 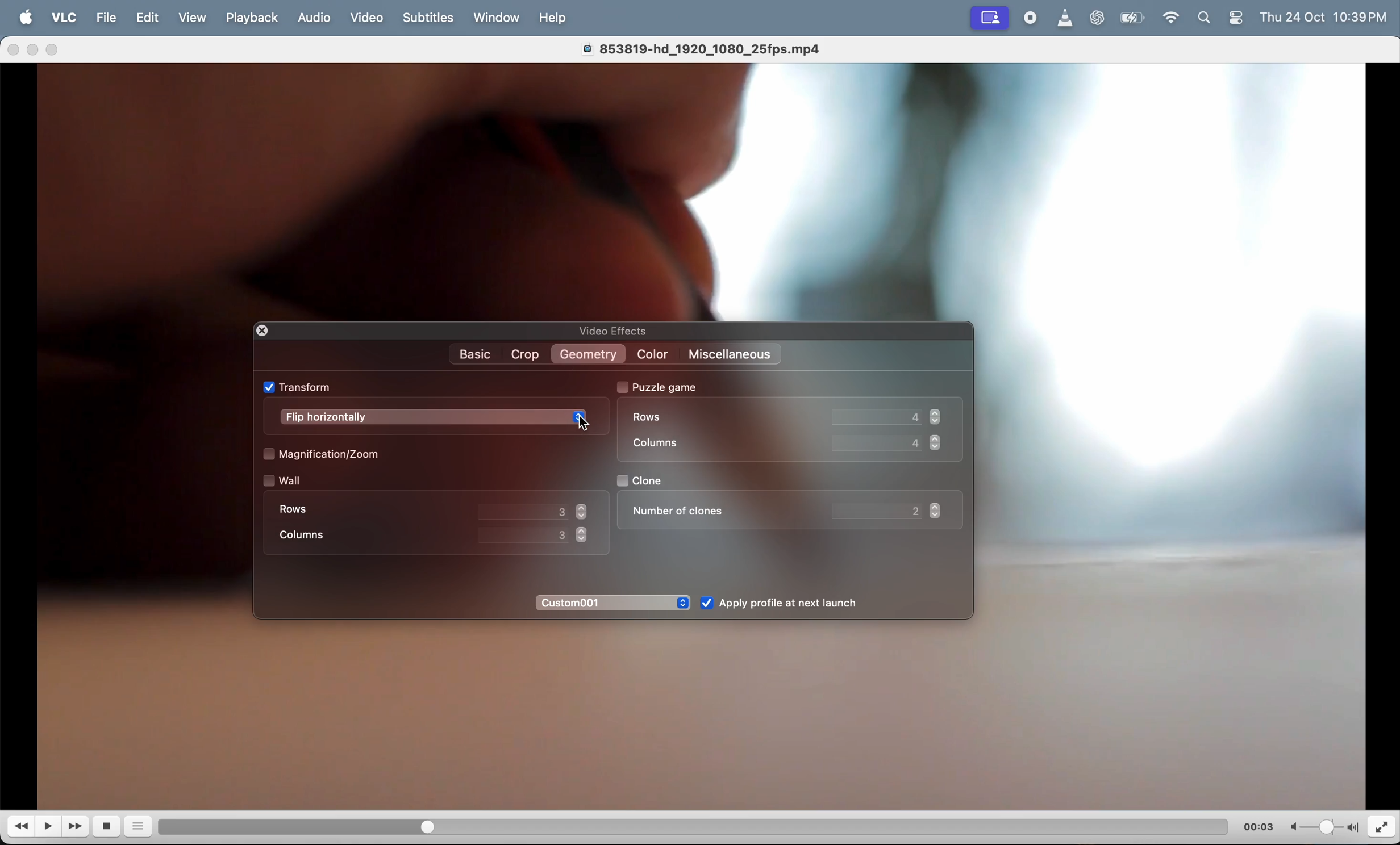 I want to click on value, so click(x=534, y=534).